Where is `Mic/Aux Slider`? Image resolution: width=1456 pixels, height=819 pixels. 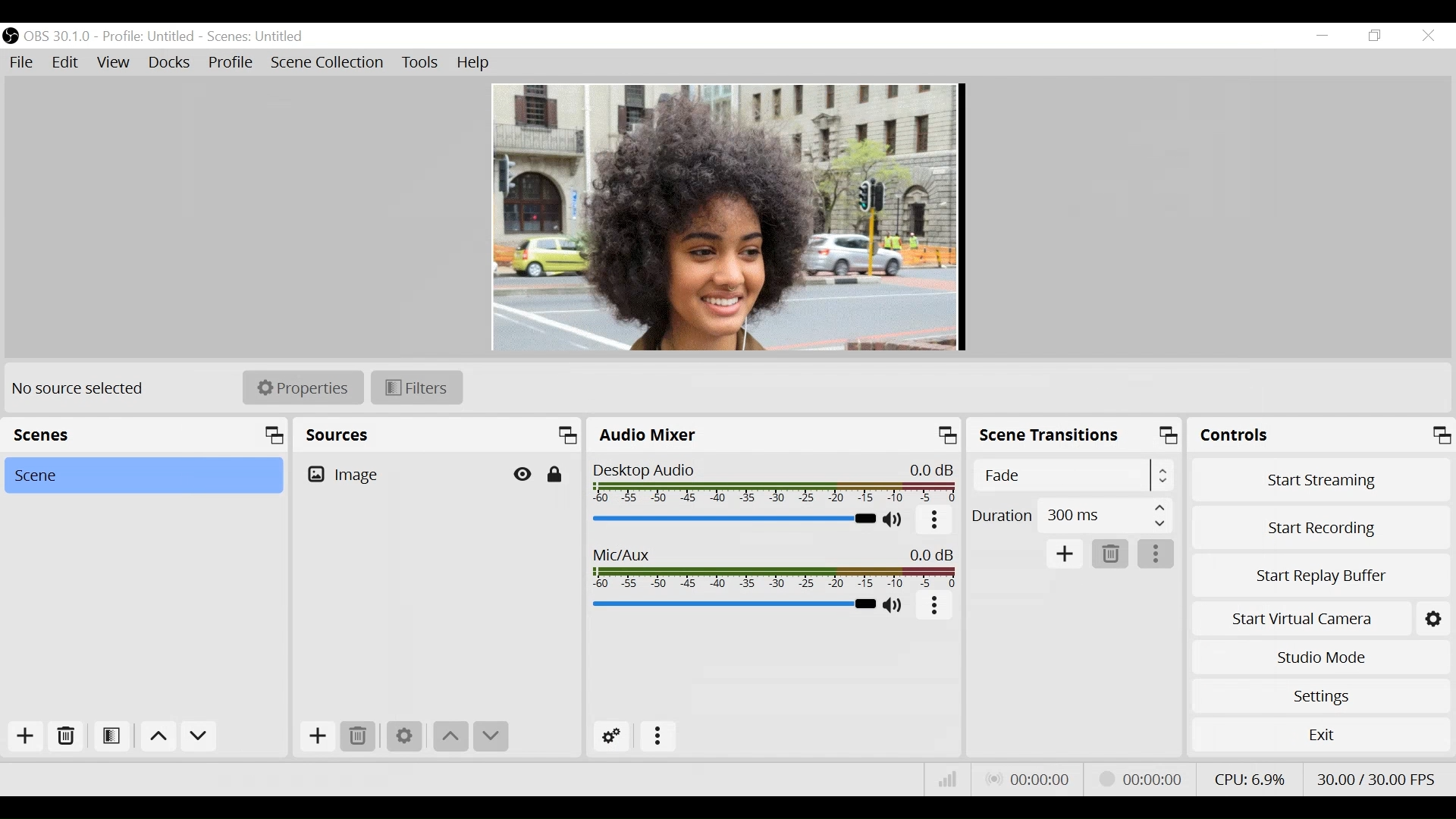
Mic/Aux Slider is located at coordinates (732, 604).